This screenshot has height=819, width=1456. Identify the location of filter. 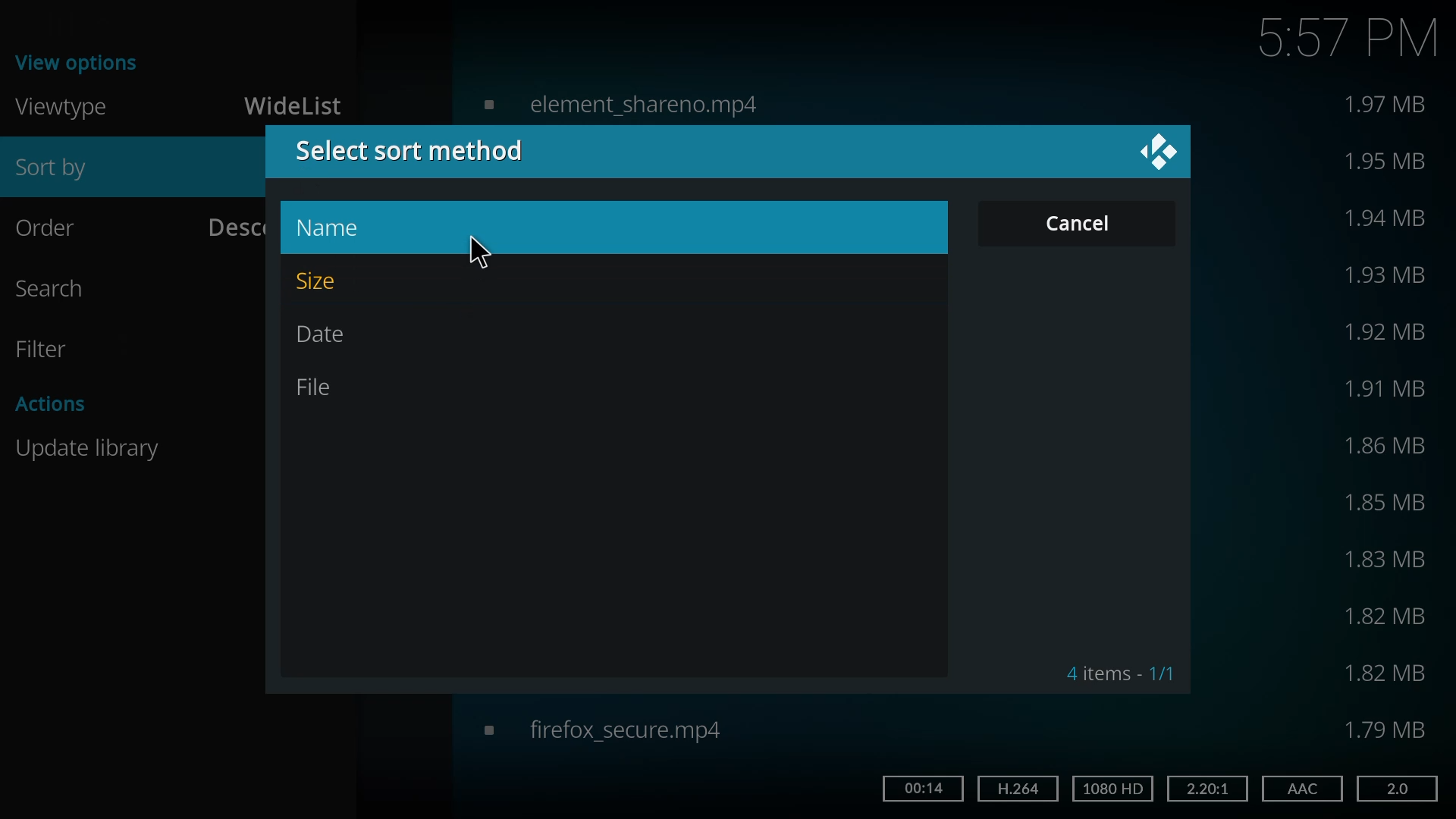
(48, 349).